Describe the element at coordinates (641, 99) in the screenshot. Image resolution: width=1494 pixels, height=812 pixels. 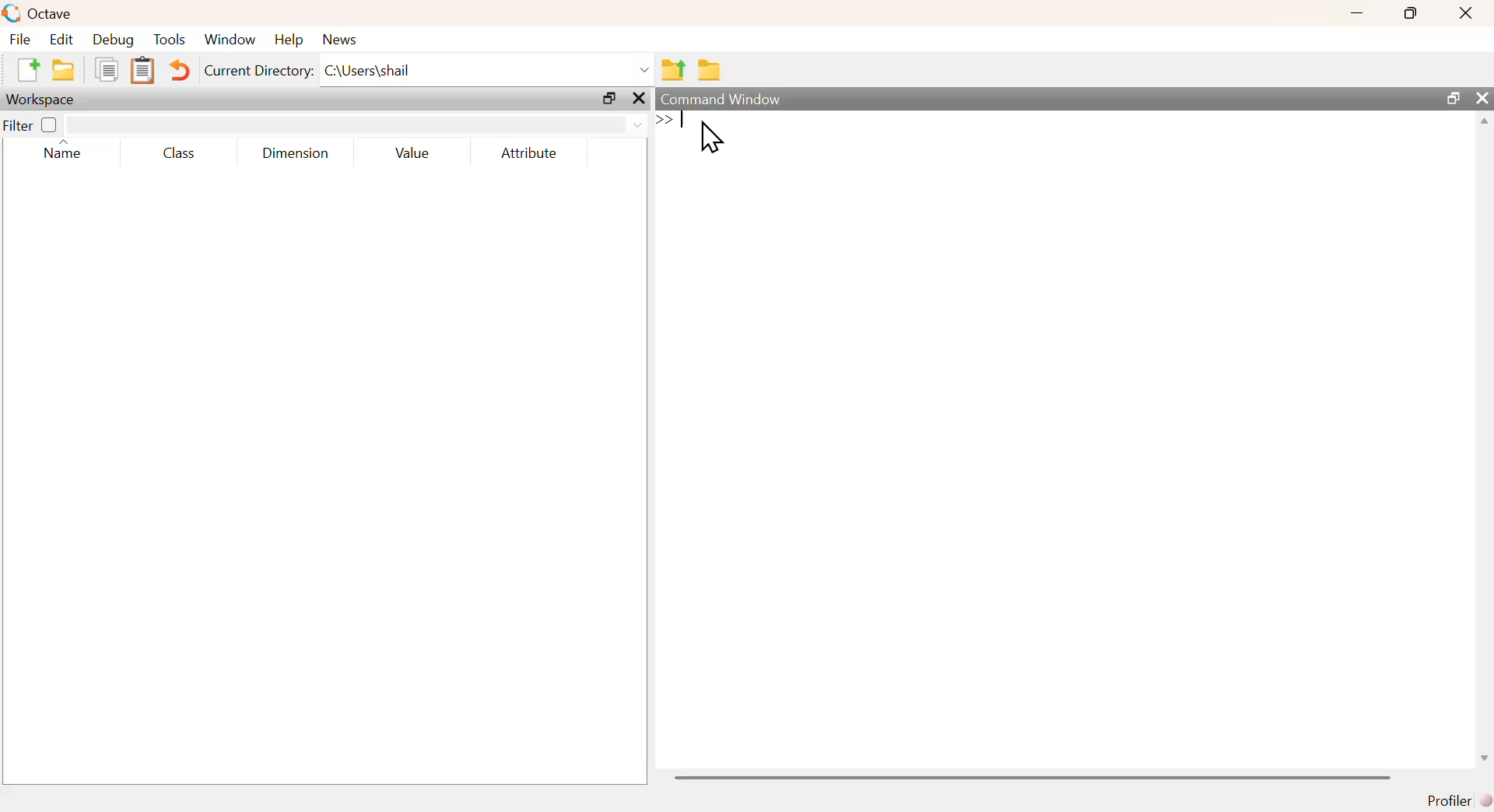
I see `close` at that location.